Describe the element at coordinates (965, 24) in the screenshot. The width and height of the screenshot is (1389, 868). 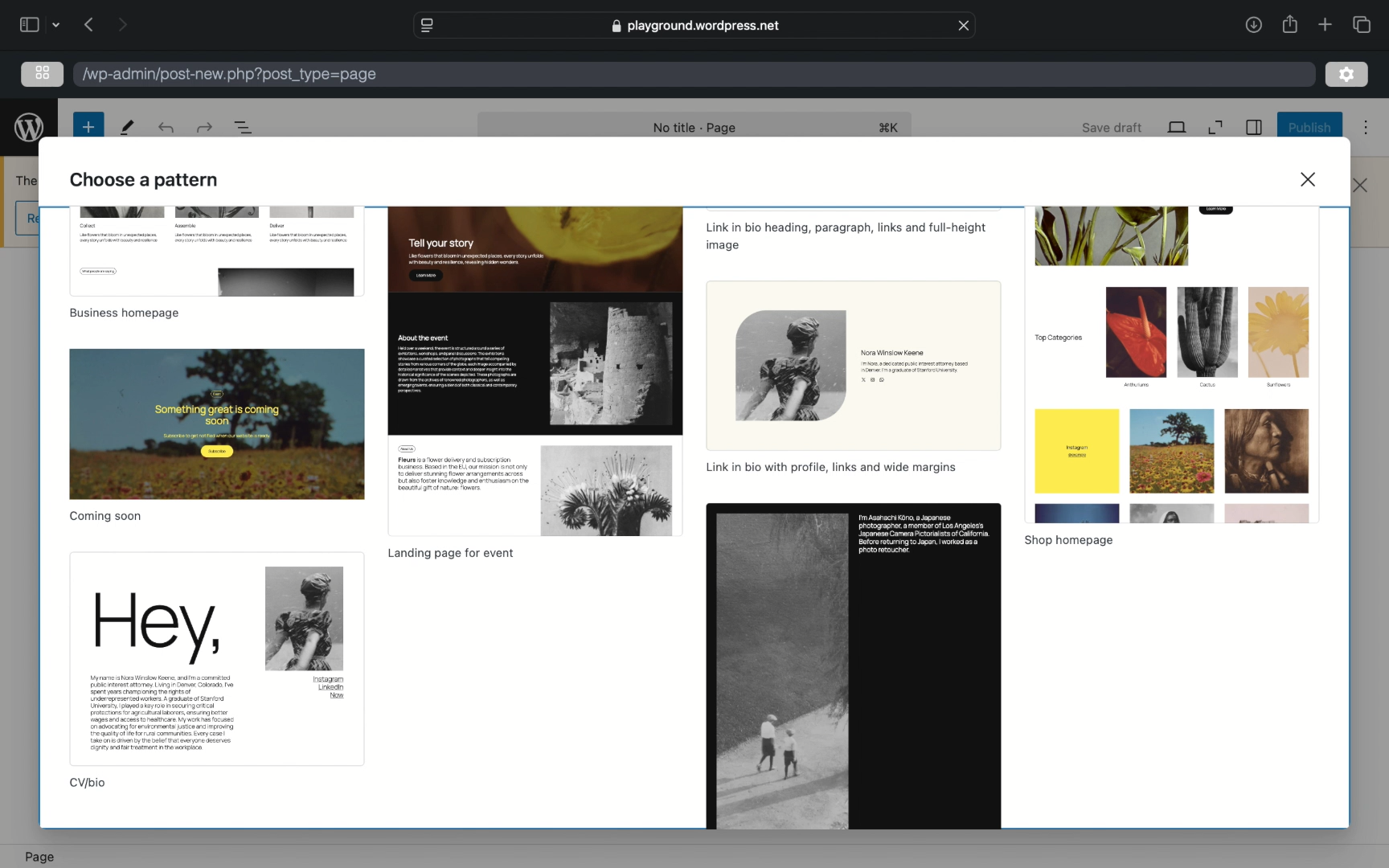
I see `close` at that location.